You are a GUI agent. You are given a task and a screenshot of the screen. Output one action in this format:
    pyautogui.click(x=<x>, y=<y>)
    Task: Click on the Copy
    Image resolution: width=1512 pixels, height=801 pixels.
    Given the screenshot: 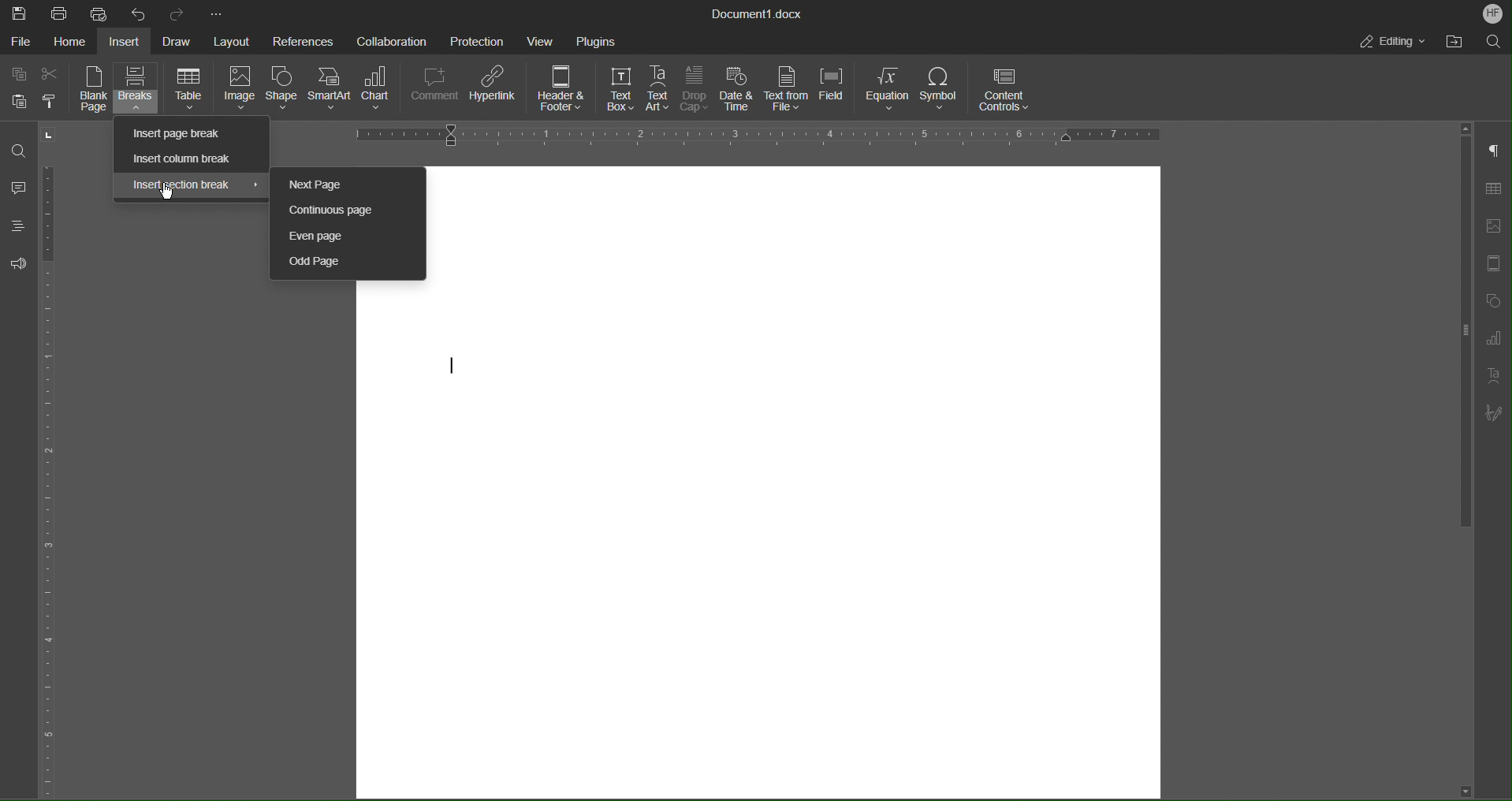 What is the action you would take?
    pyautogui.click(x=19, y=74)
    